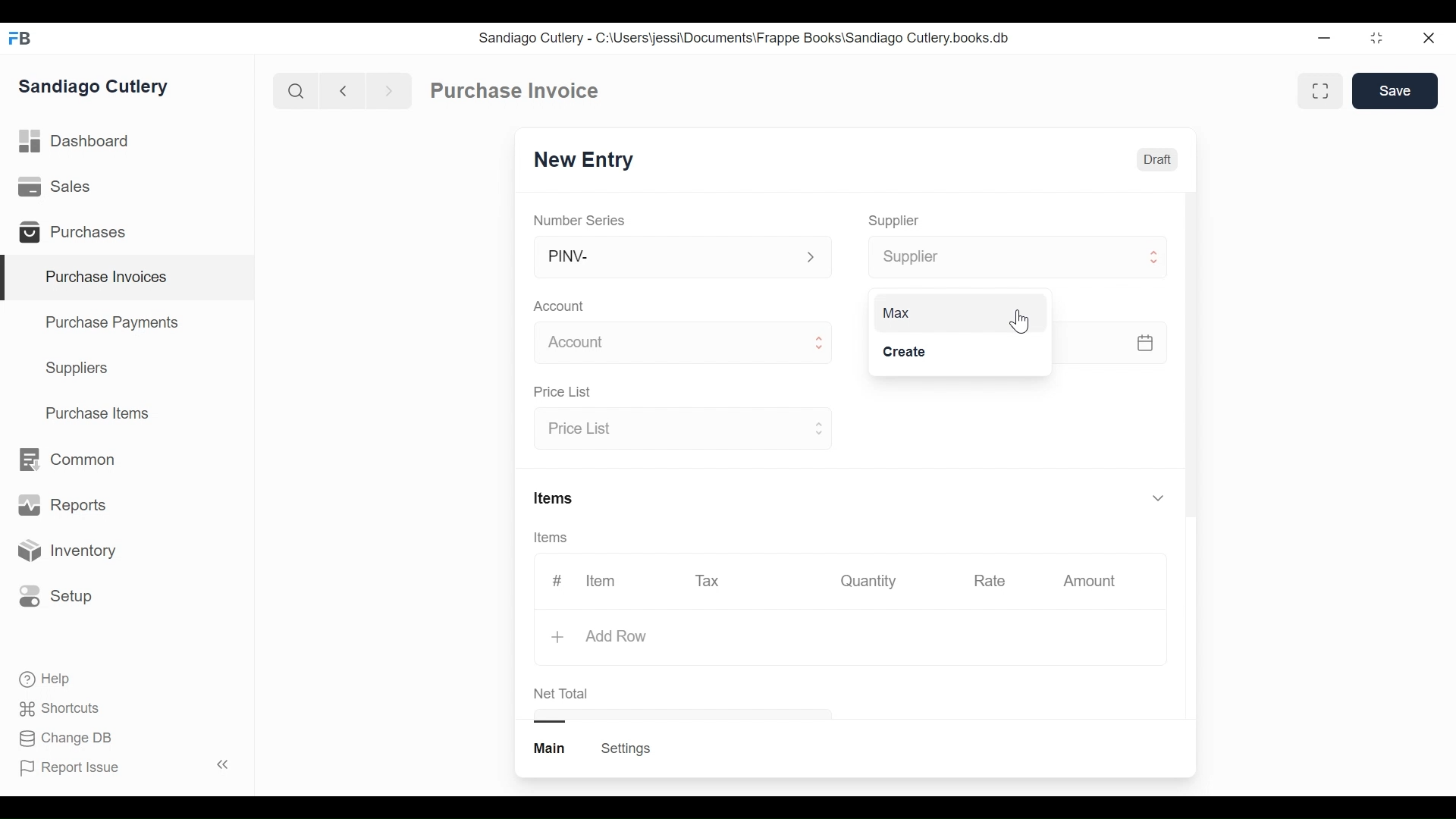 The image size is (1456, 819). What do you see at coordinates (65, 551) in the screenshot?
I see `Inventory` at bounding box center [65, 551].